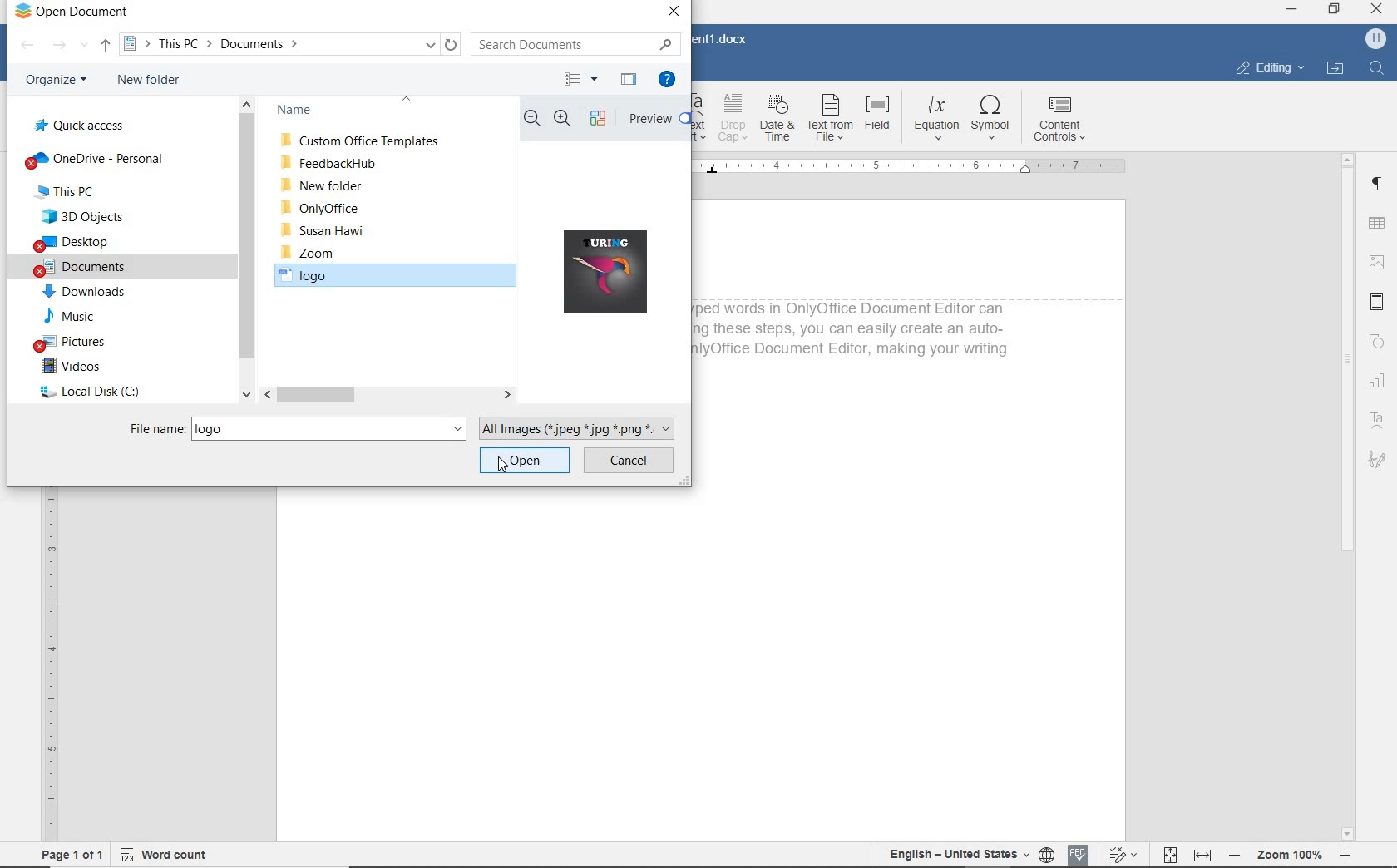 The height and width of the screenshot is (868, 1397). I want to click on File PATH, so click(292, 44).